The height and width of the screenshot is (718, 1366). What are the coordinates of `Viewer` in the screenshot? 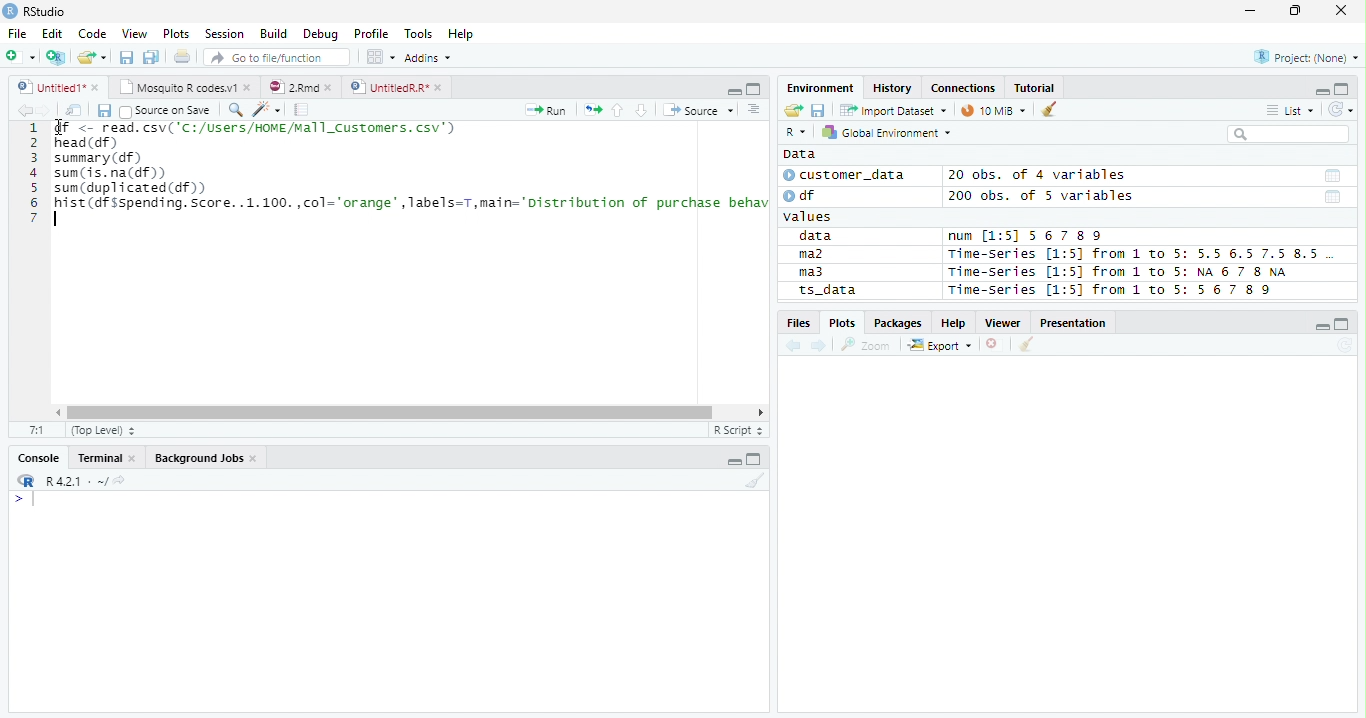 It's located at (1006, 323).